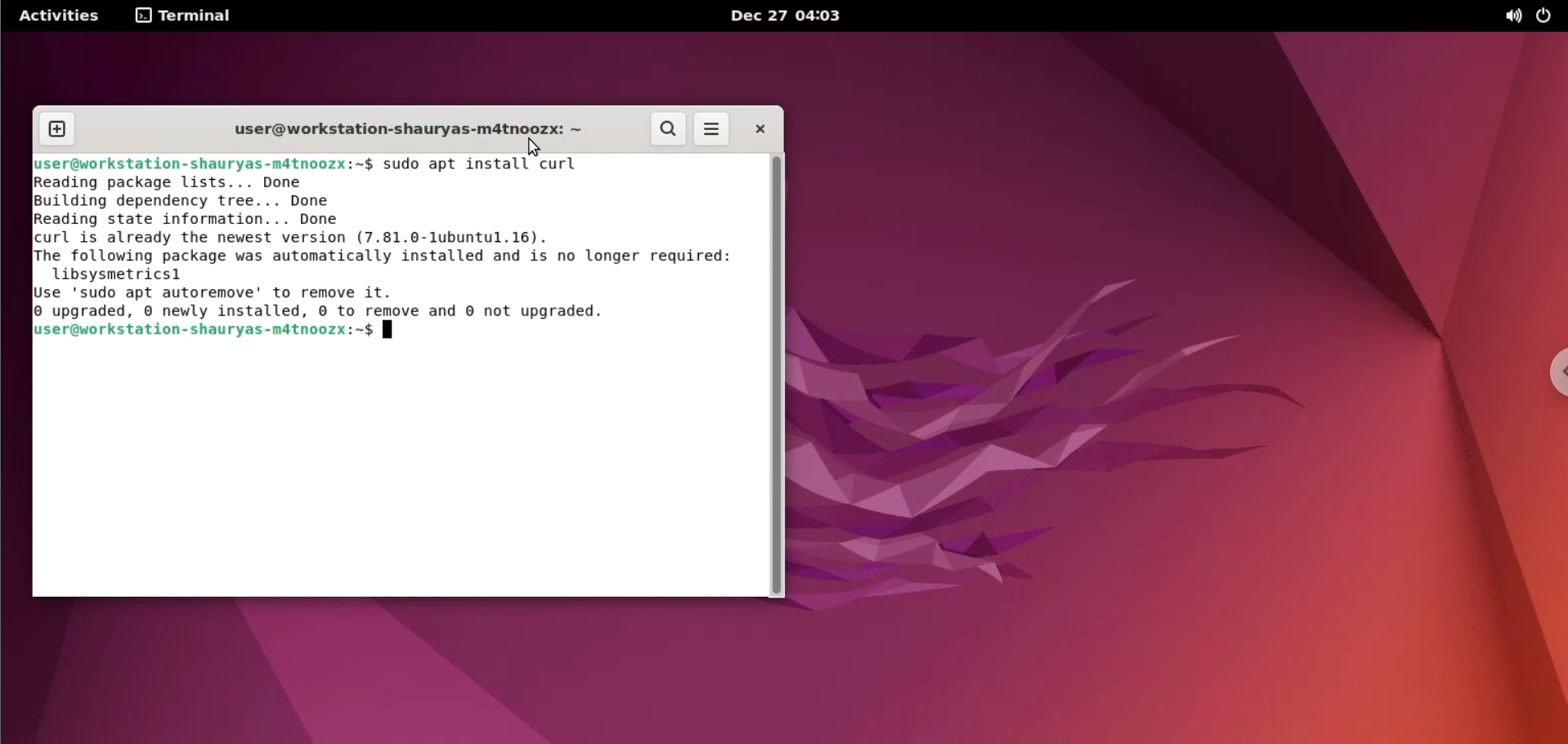 Image resolution: width=1568 pixels, height=744 pixels. I want to click on user@workstation-shauryas-m4tnoozx:-$, so click(204, 164).